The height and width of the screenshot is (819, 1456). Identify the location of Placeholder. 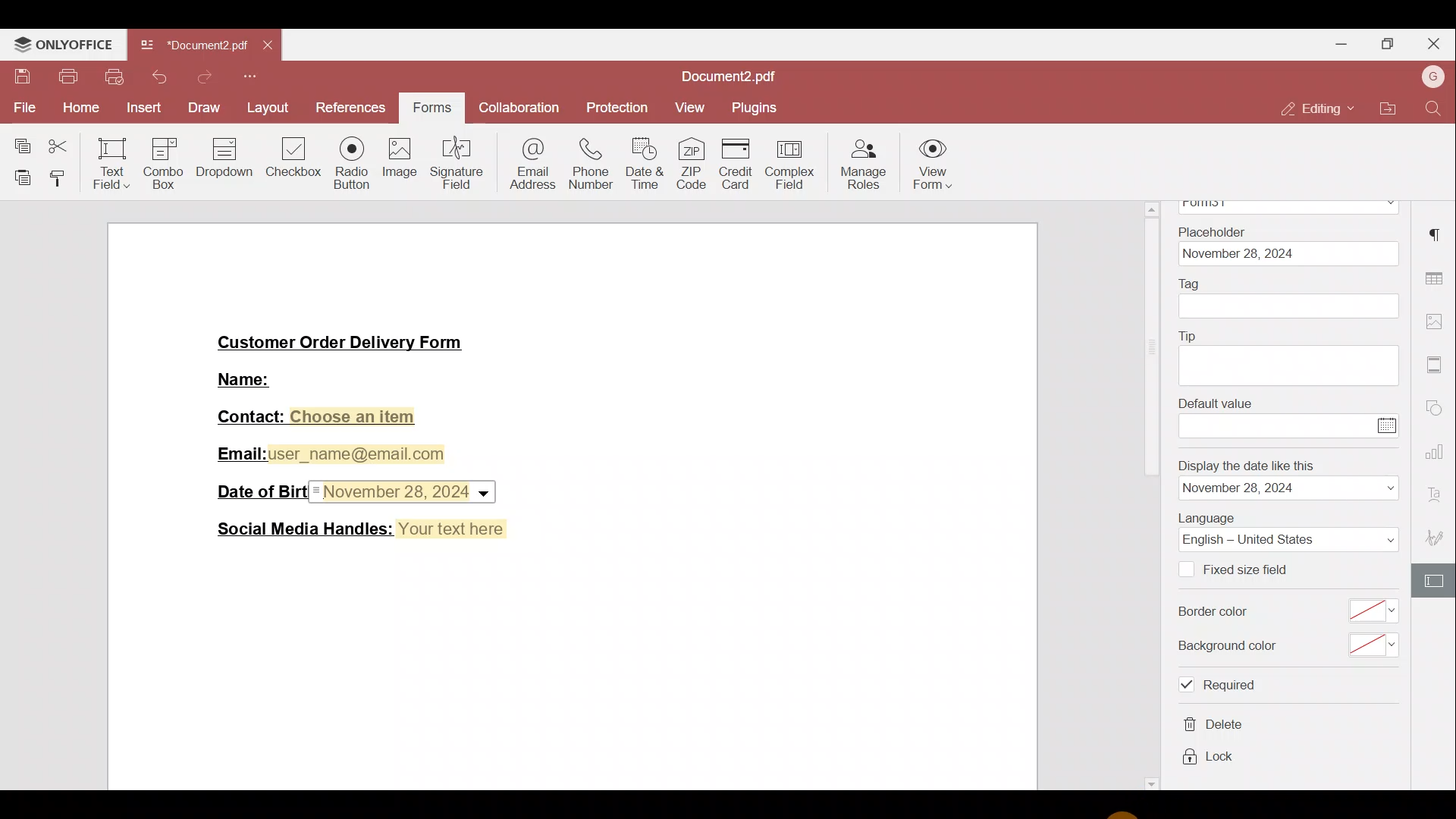
(1216, 231).